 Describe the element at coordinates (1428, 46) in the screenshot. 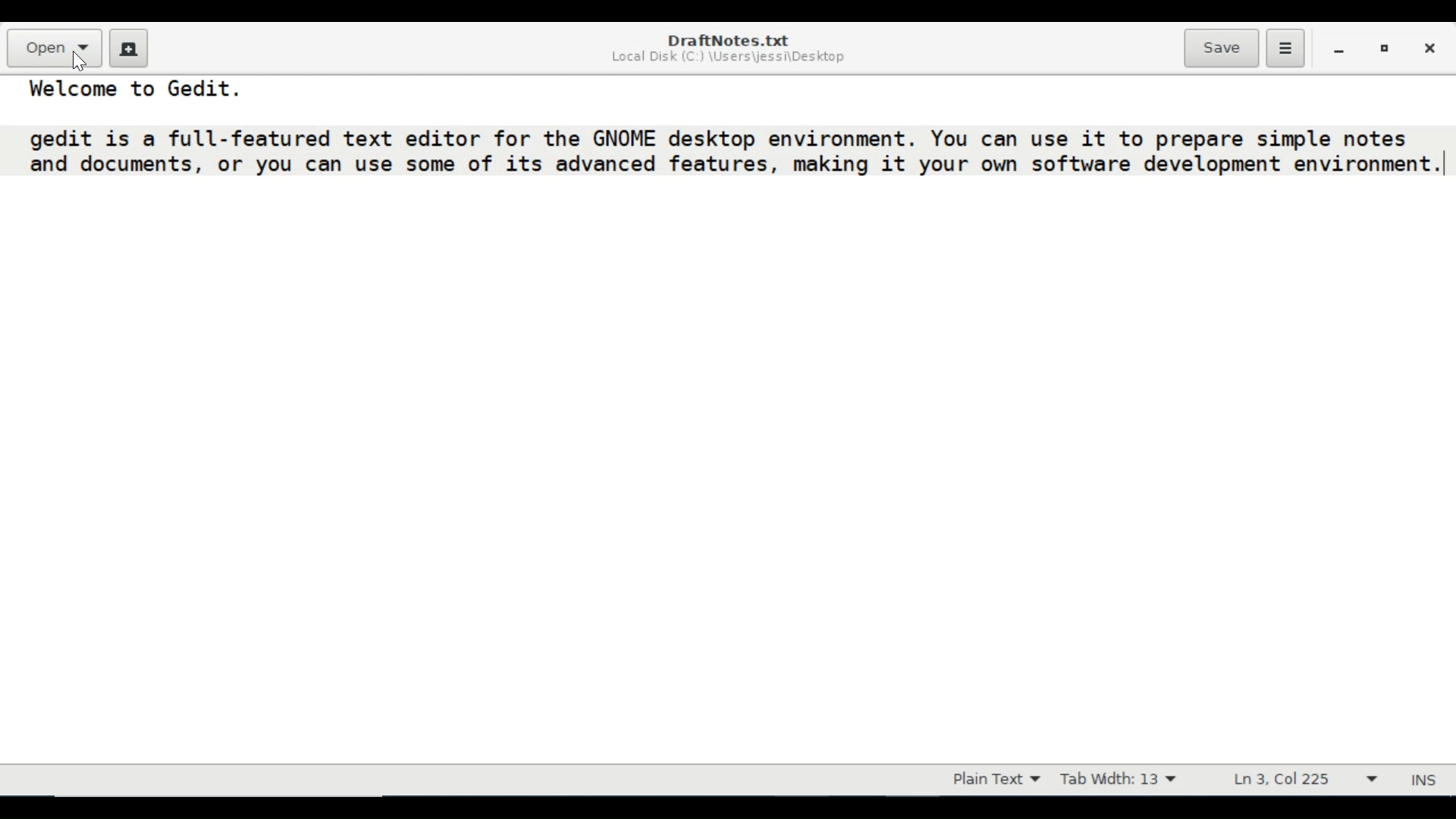

I see `Close` at that location.